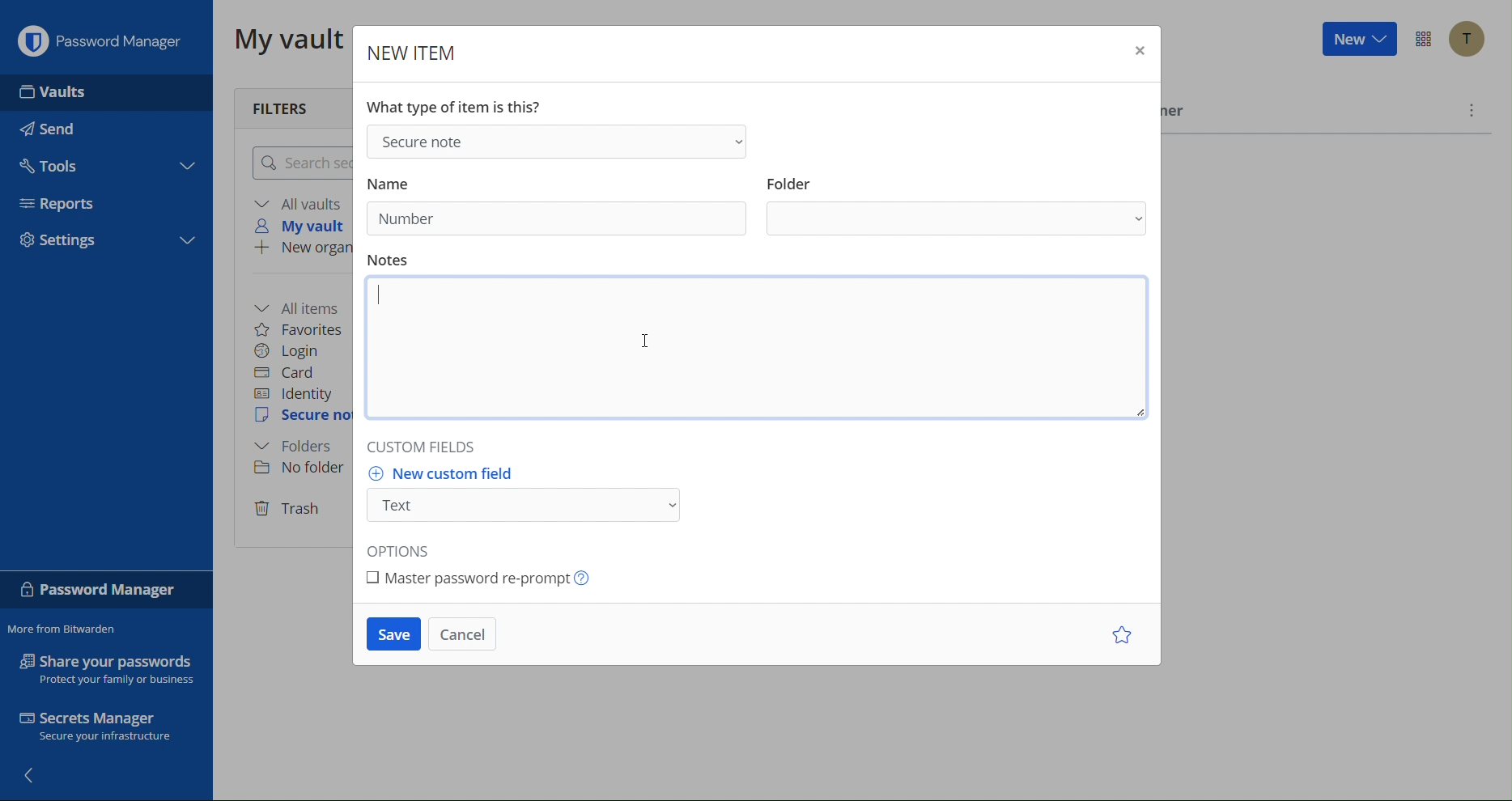 The height and width of the screenshot is (801, 1512). What do you see at coordinates (560, 140) in the screenshot?
I see `Secure Note` at bounding box center [560, 140].